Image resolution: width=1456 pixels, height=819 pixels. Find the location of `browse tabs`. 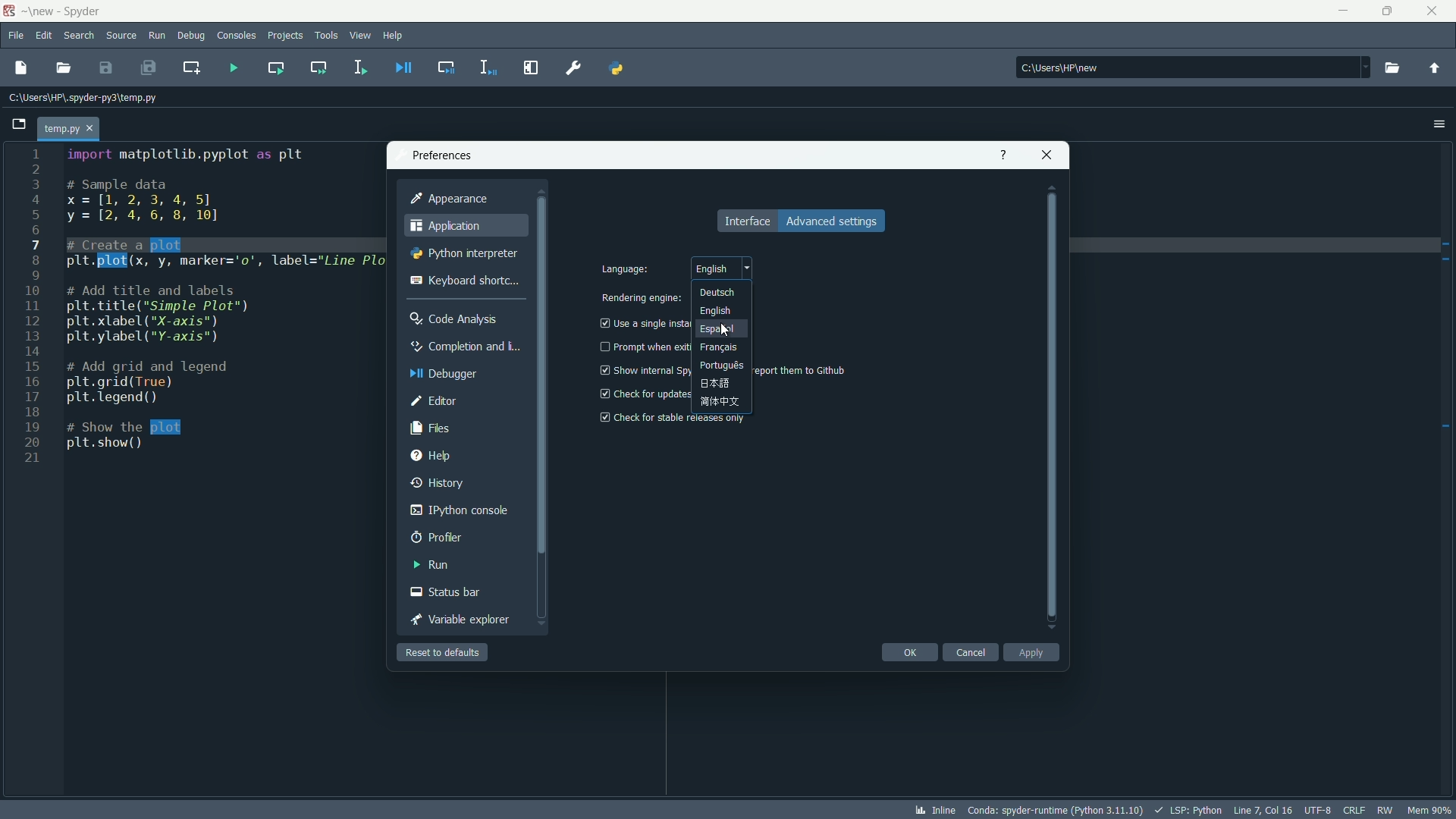

browse tabs is located at coordinates (15, 126).